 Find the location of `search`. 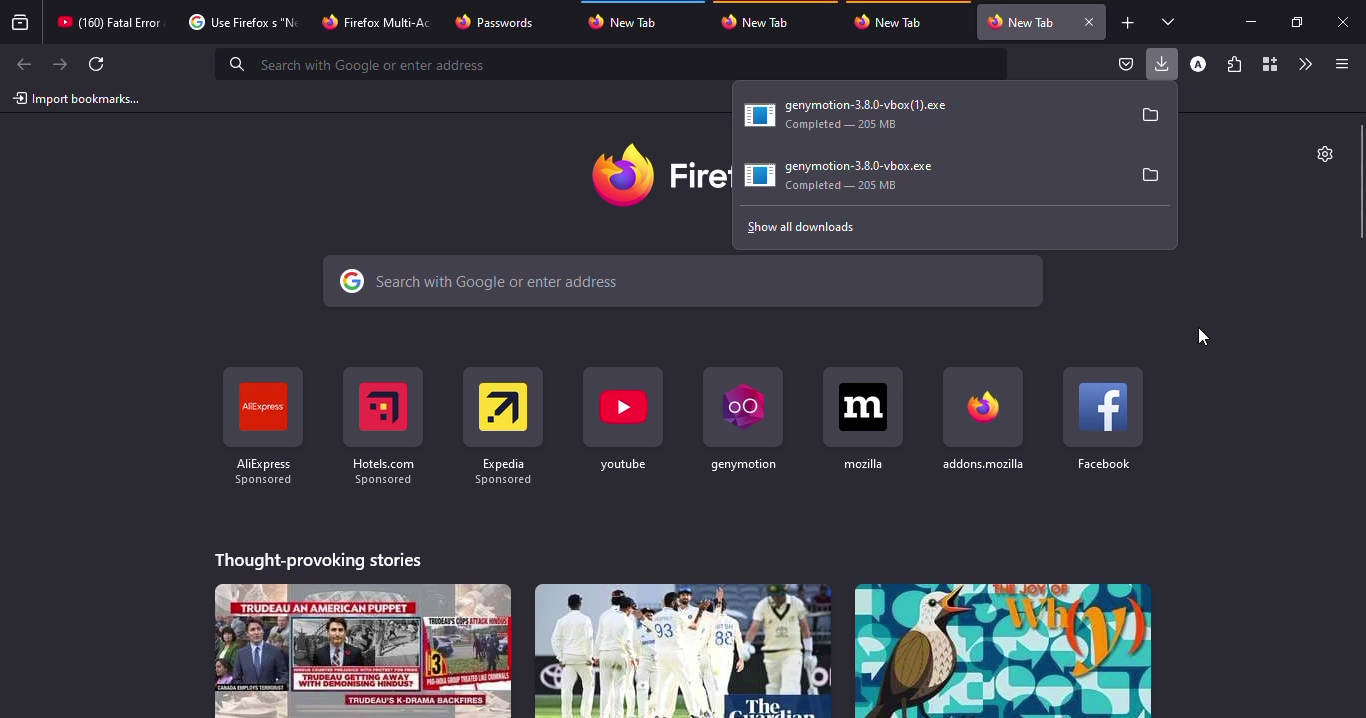

search is located at coordinates (614, 64).